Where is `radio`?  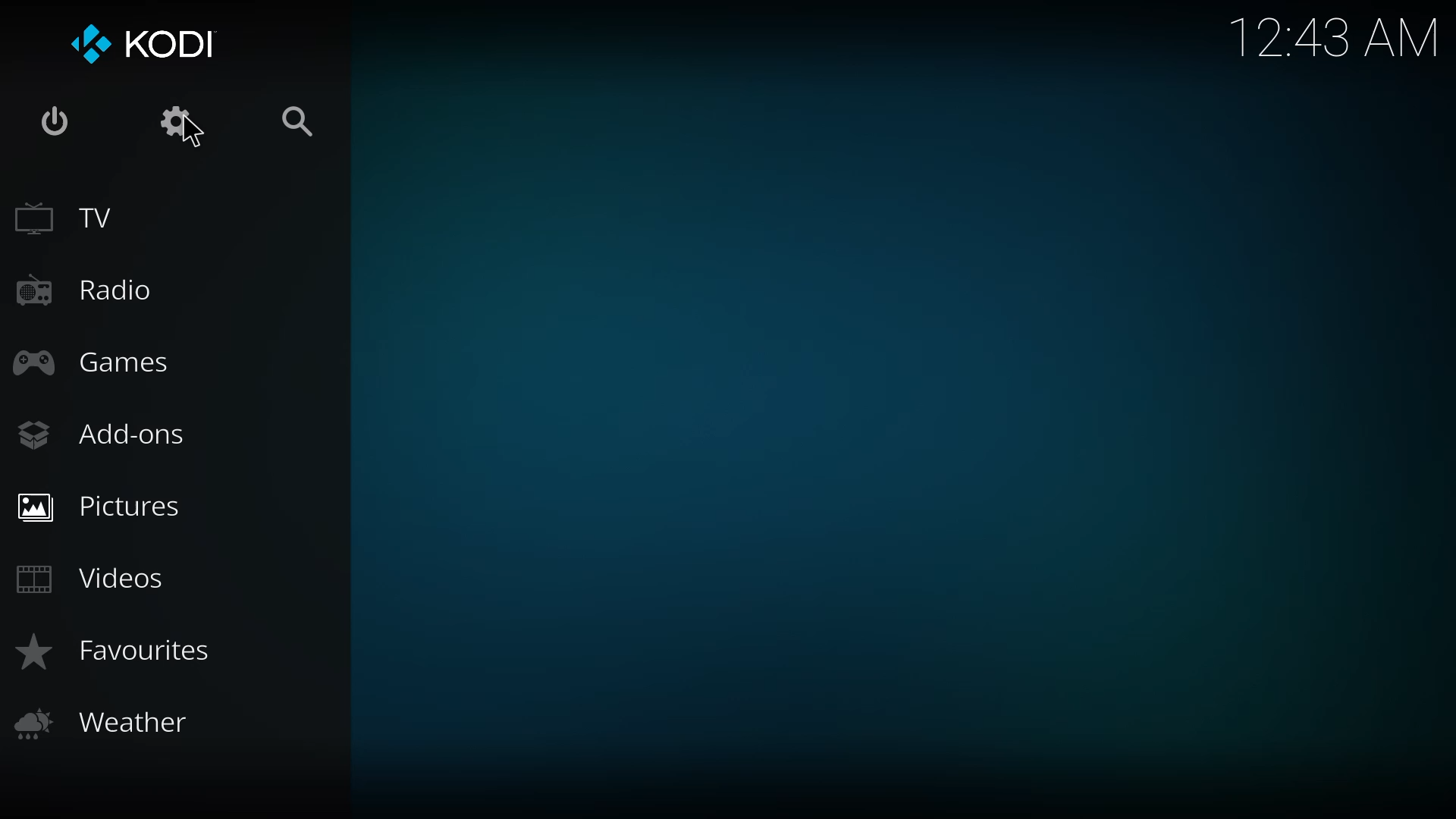
radio is located at coordinates (80, 290).